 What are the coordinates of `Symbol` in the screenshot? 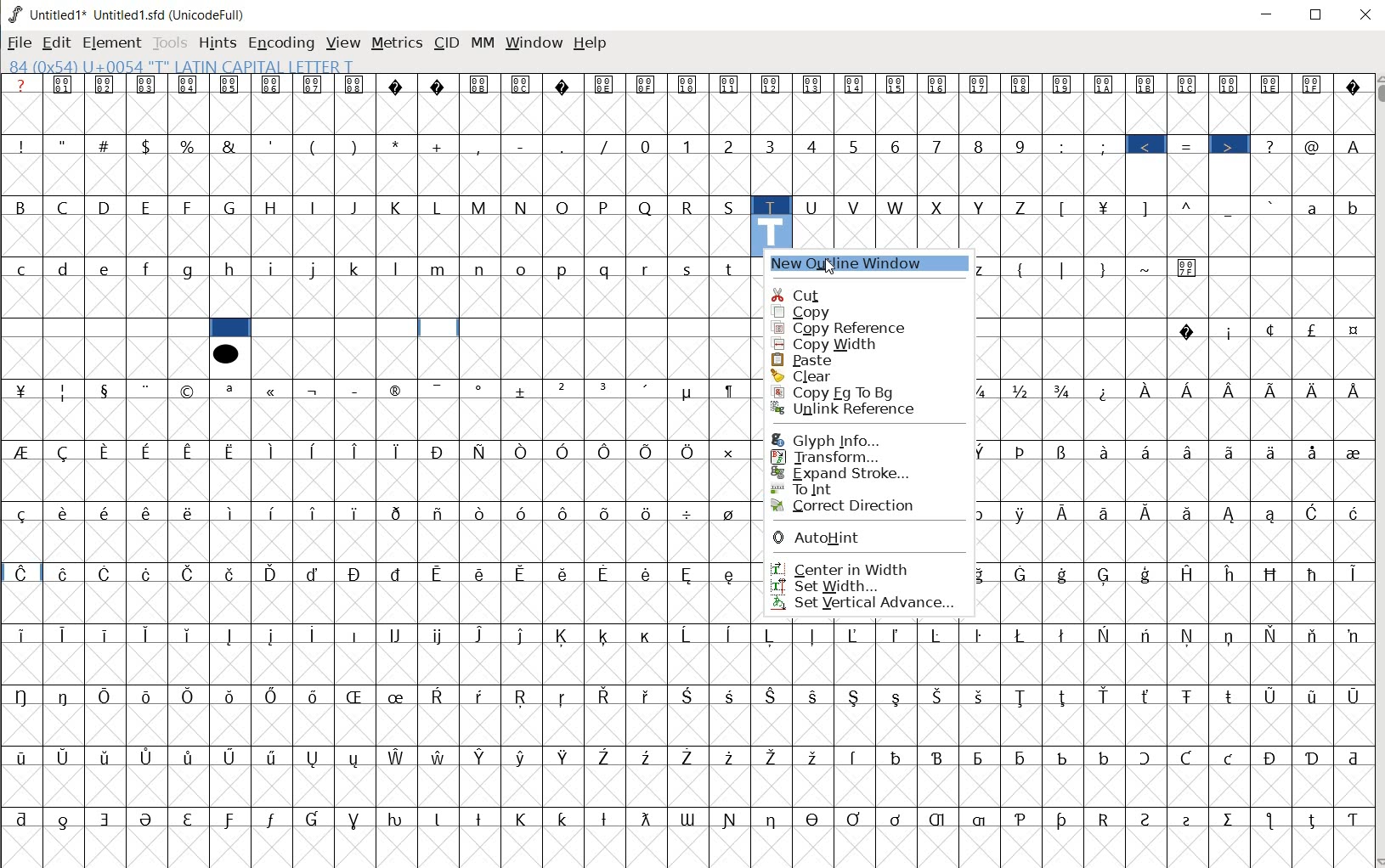 It's located at (108, 451).